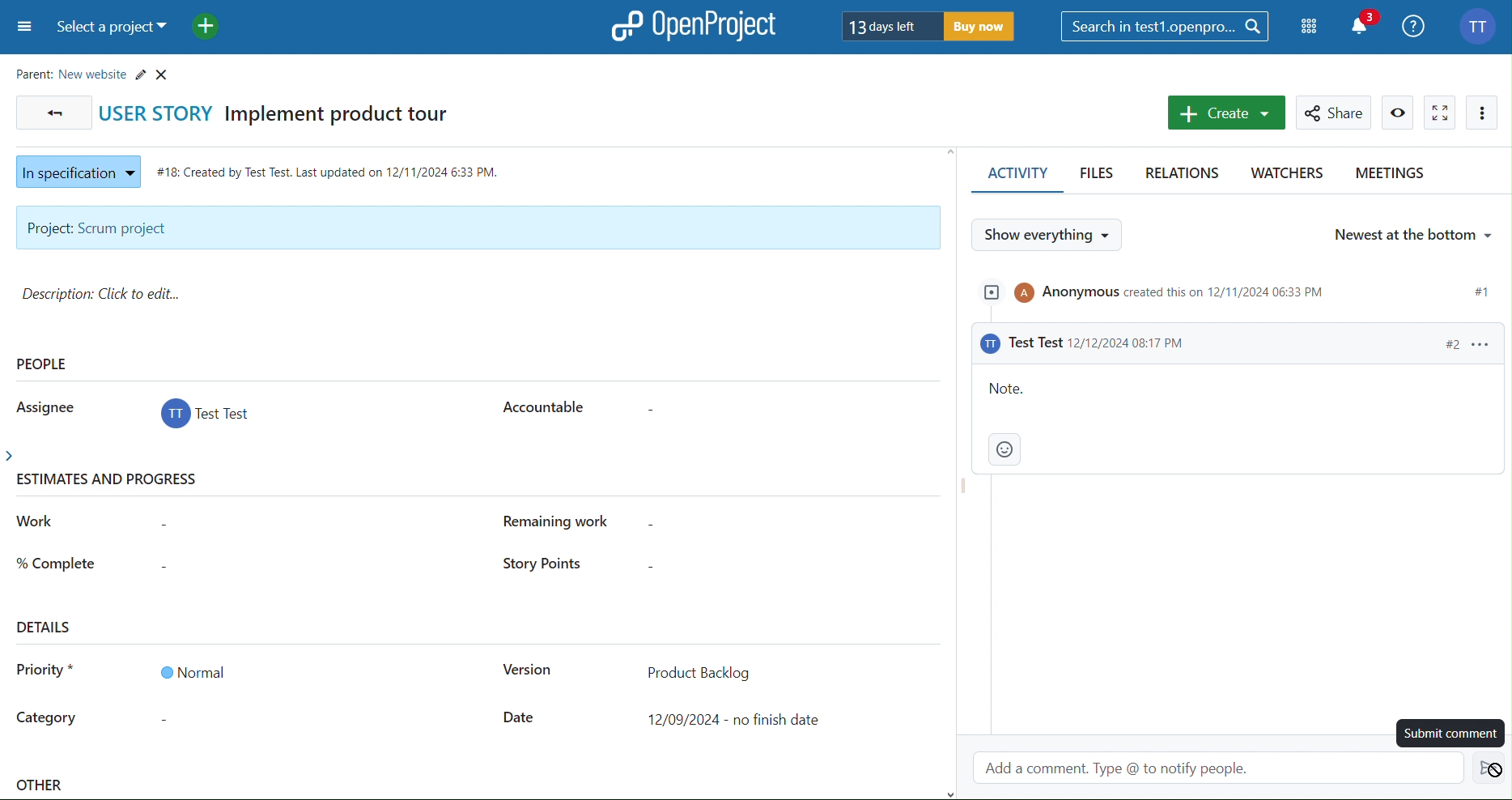 The width and height of the screenshot is (1512, 800). What do you see at coordinates (1481, 288) in the screenshot?
I see `#1` at bounding box center [1481, 288].